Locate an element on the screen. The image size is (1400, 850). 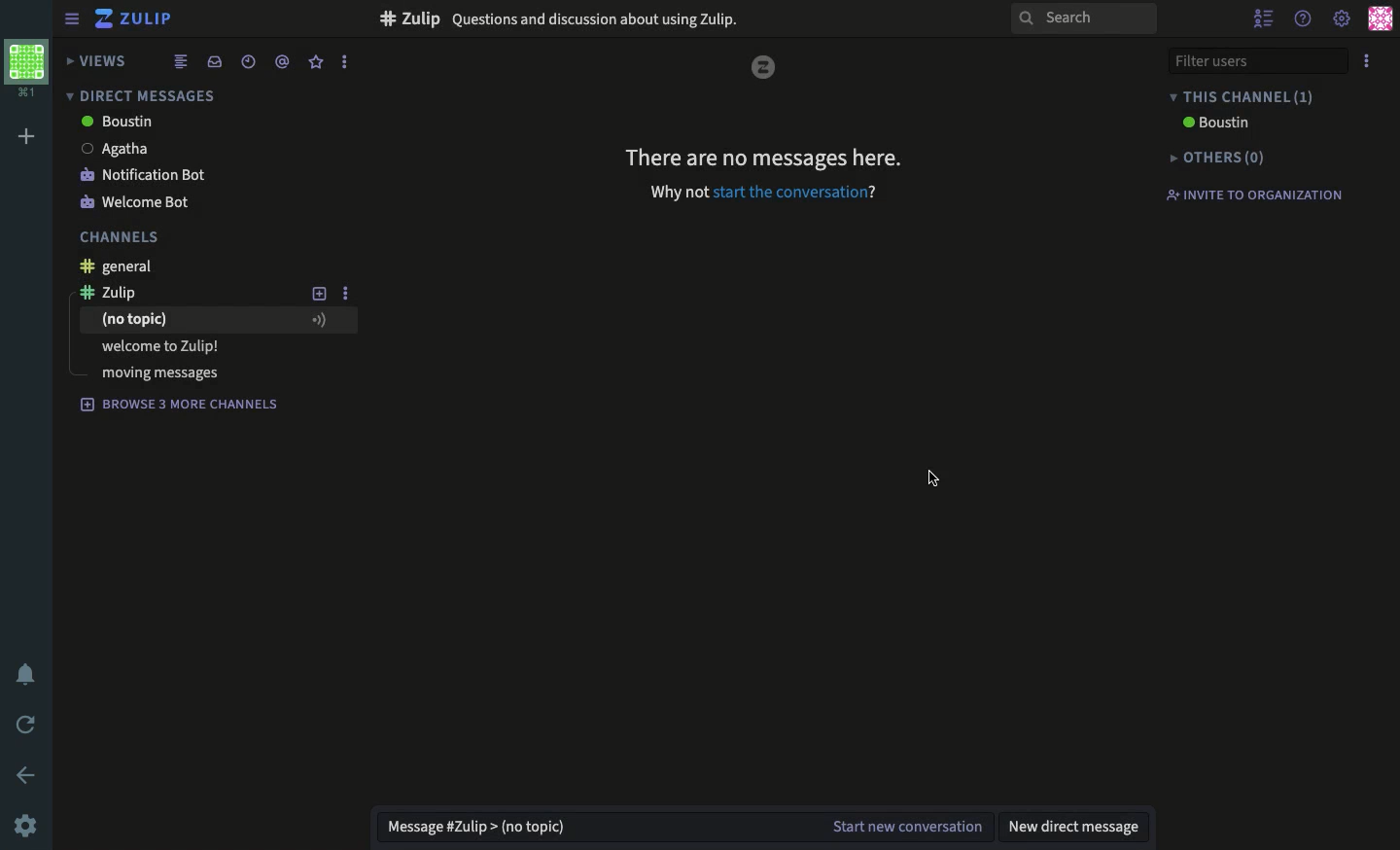
Browse 3 more channels is located at coordinates (181, 406).